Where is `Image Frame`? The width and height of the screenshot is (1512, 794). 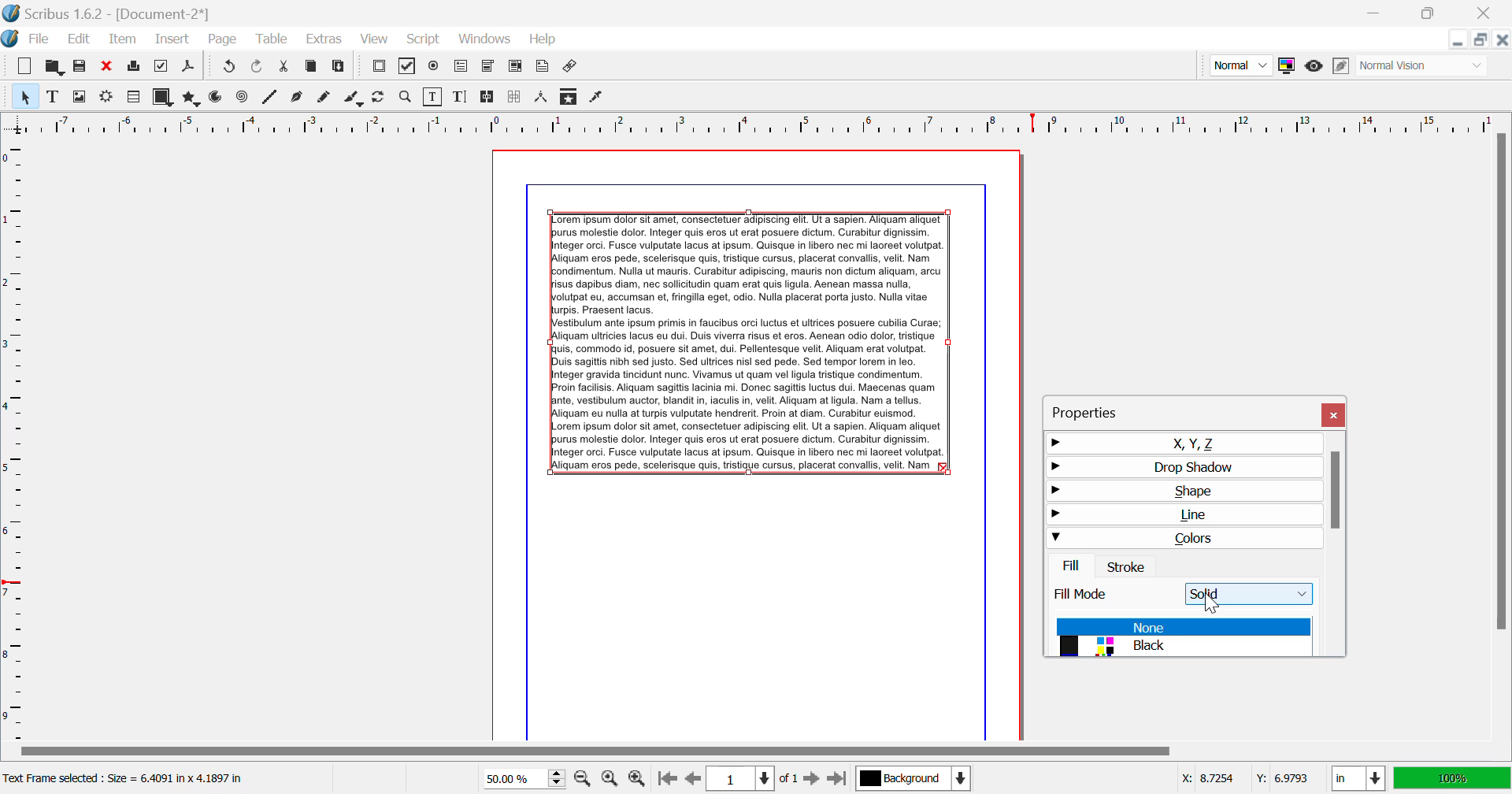 Image Frame is located at coordinates (79, 96).